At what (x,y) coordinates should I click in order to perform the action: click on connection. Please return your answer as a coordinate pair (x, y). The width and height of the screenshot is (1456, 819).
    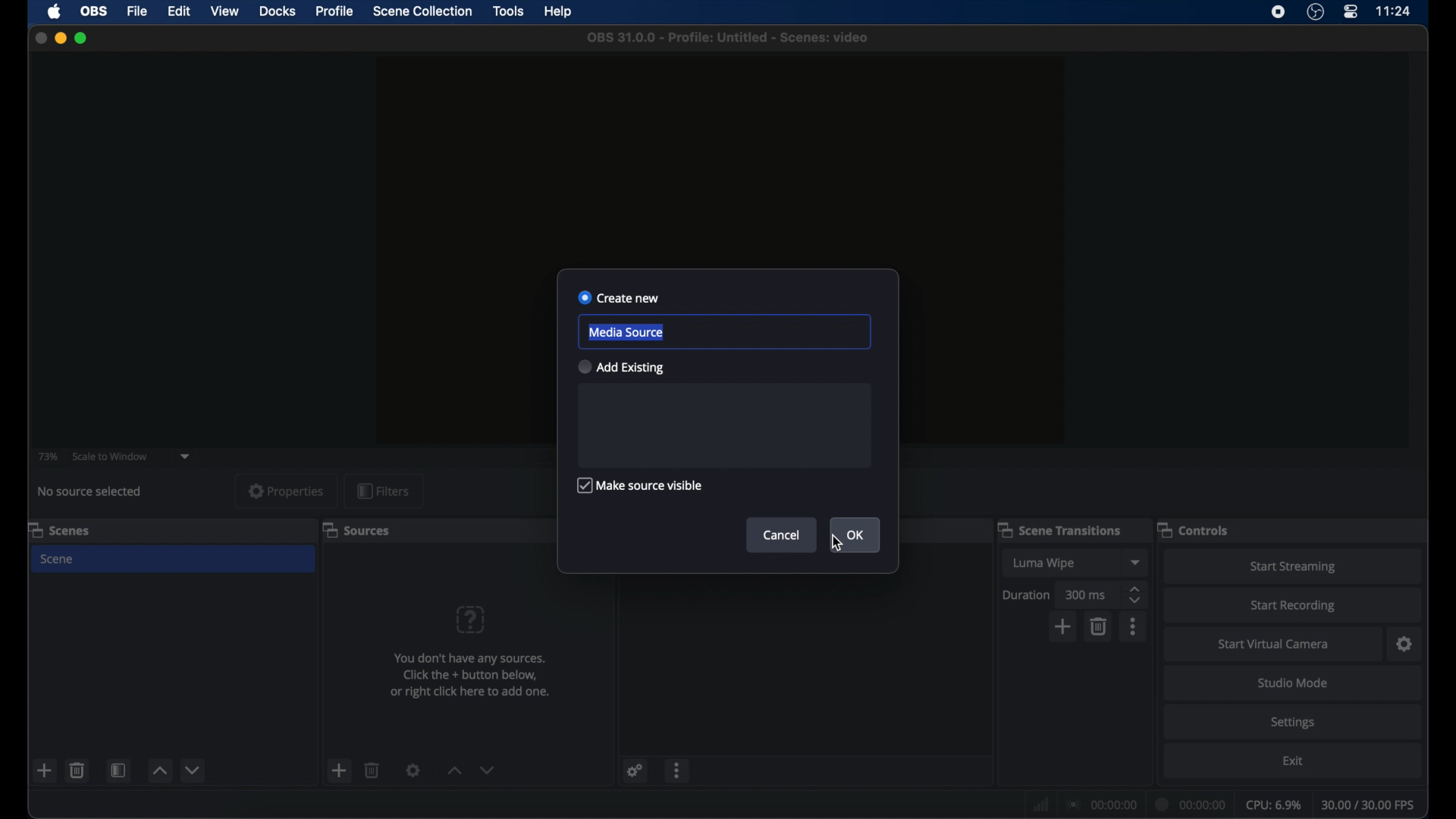
    Looking at the image, I should click on (1098, 803).